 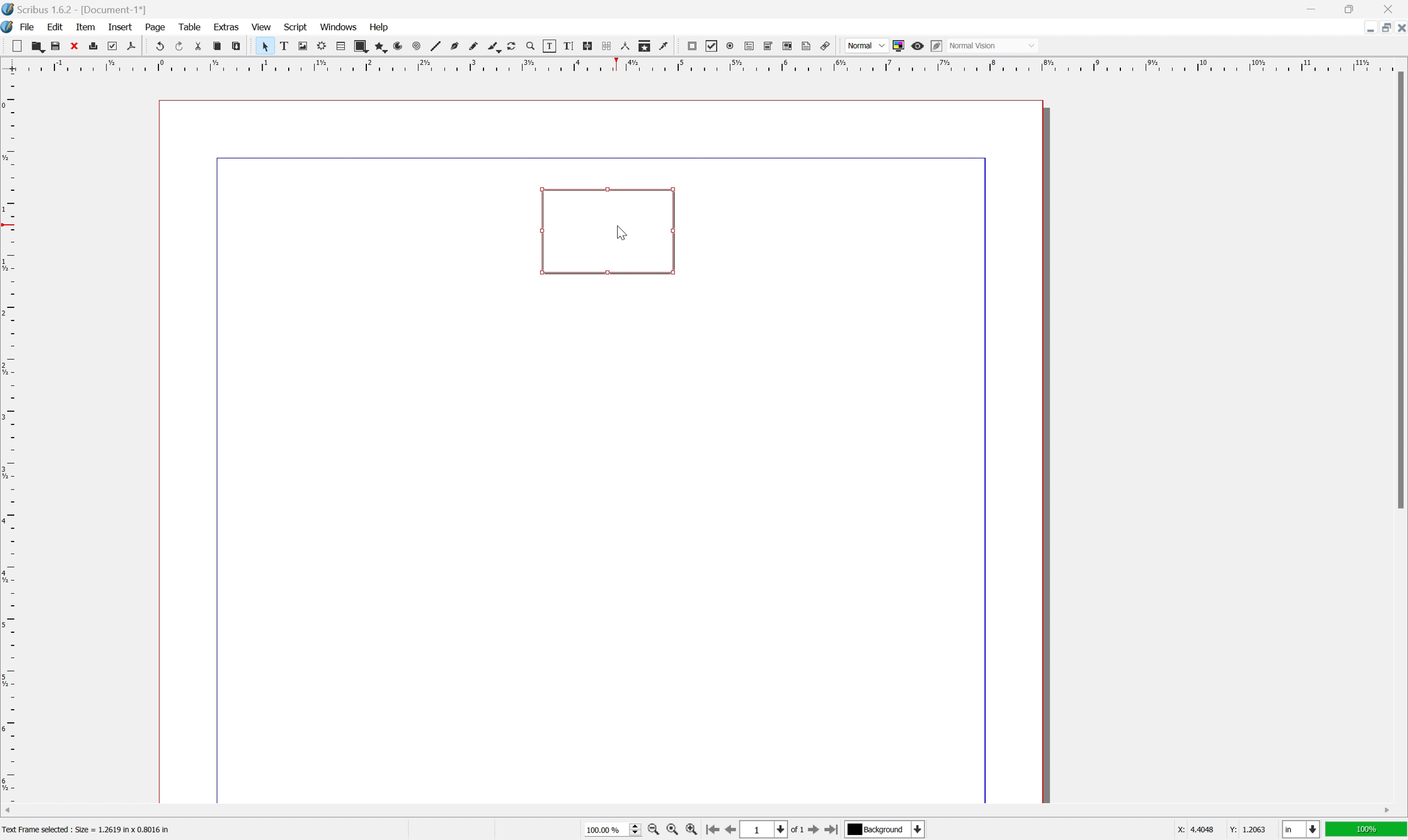 I want to click on normal, so click(x=866, y=45).